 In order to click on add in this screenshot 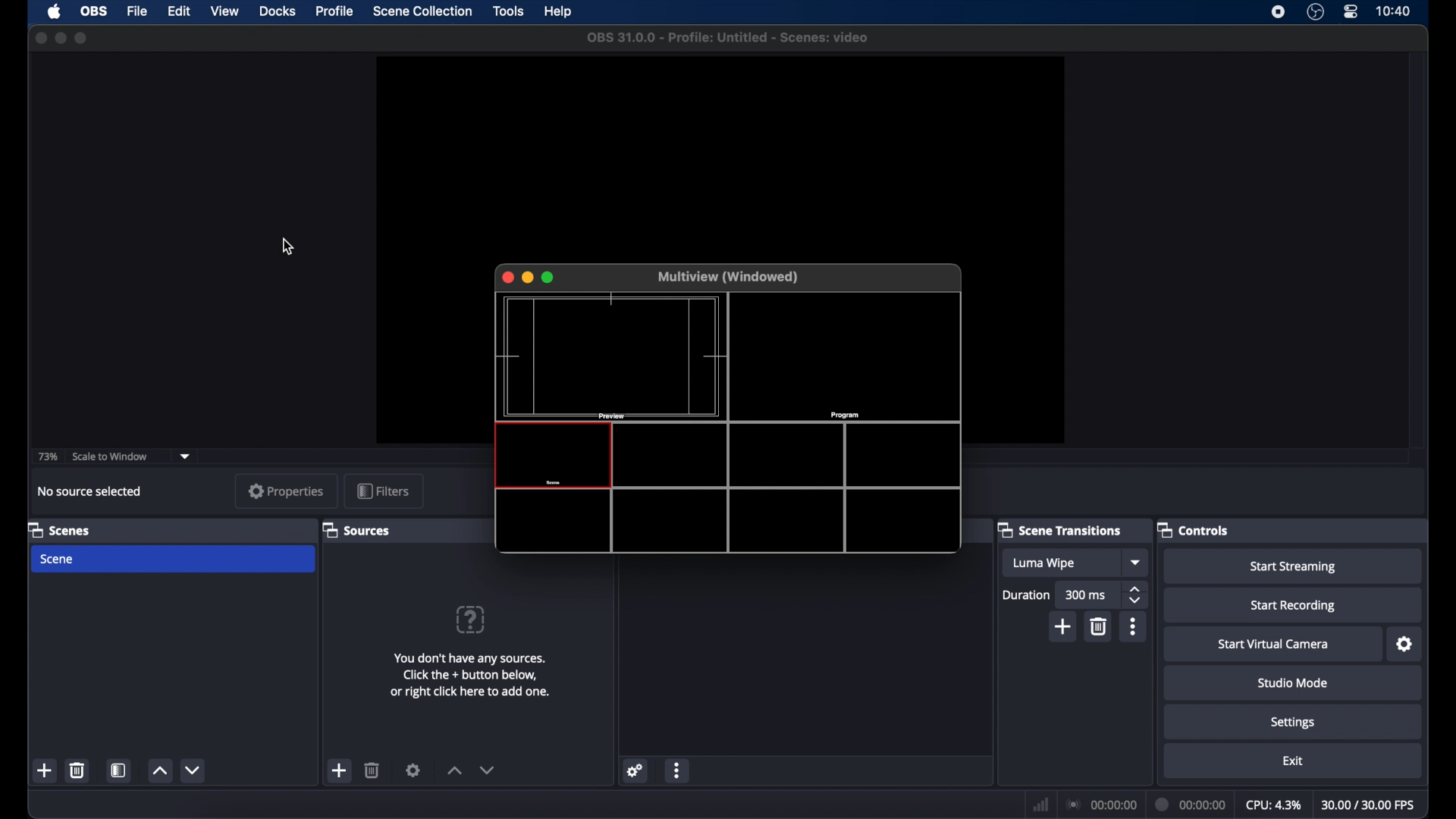, I will do `click(340, 770)`.